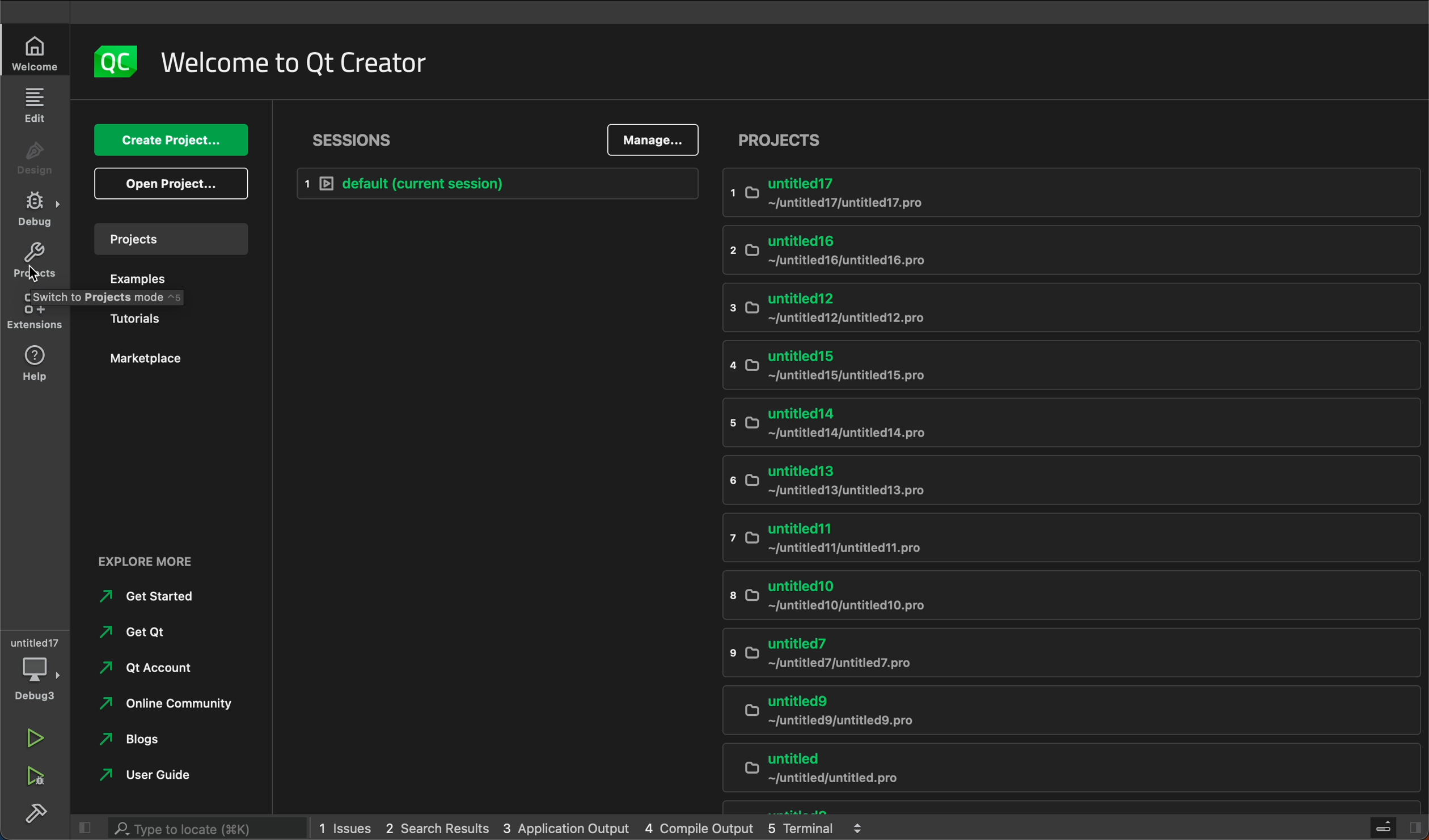 The image size is (1429, 840). I want to click on untitled, so click(1039, 808).